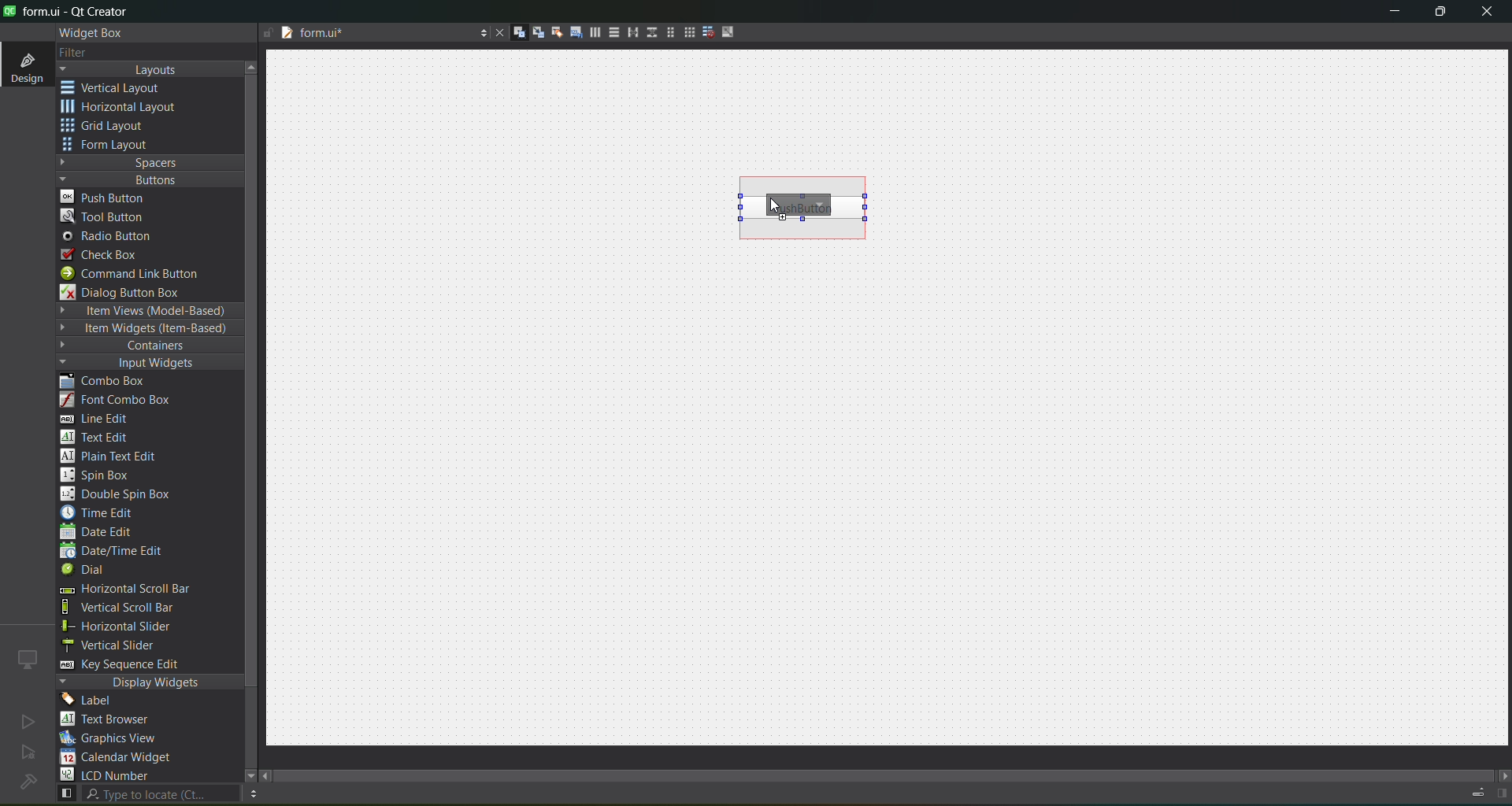  What do you see at coordinates (610, 31) in the screenshot?
I see `layout vertically` at bounding box center [610, 31].